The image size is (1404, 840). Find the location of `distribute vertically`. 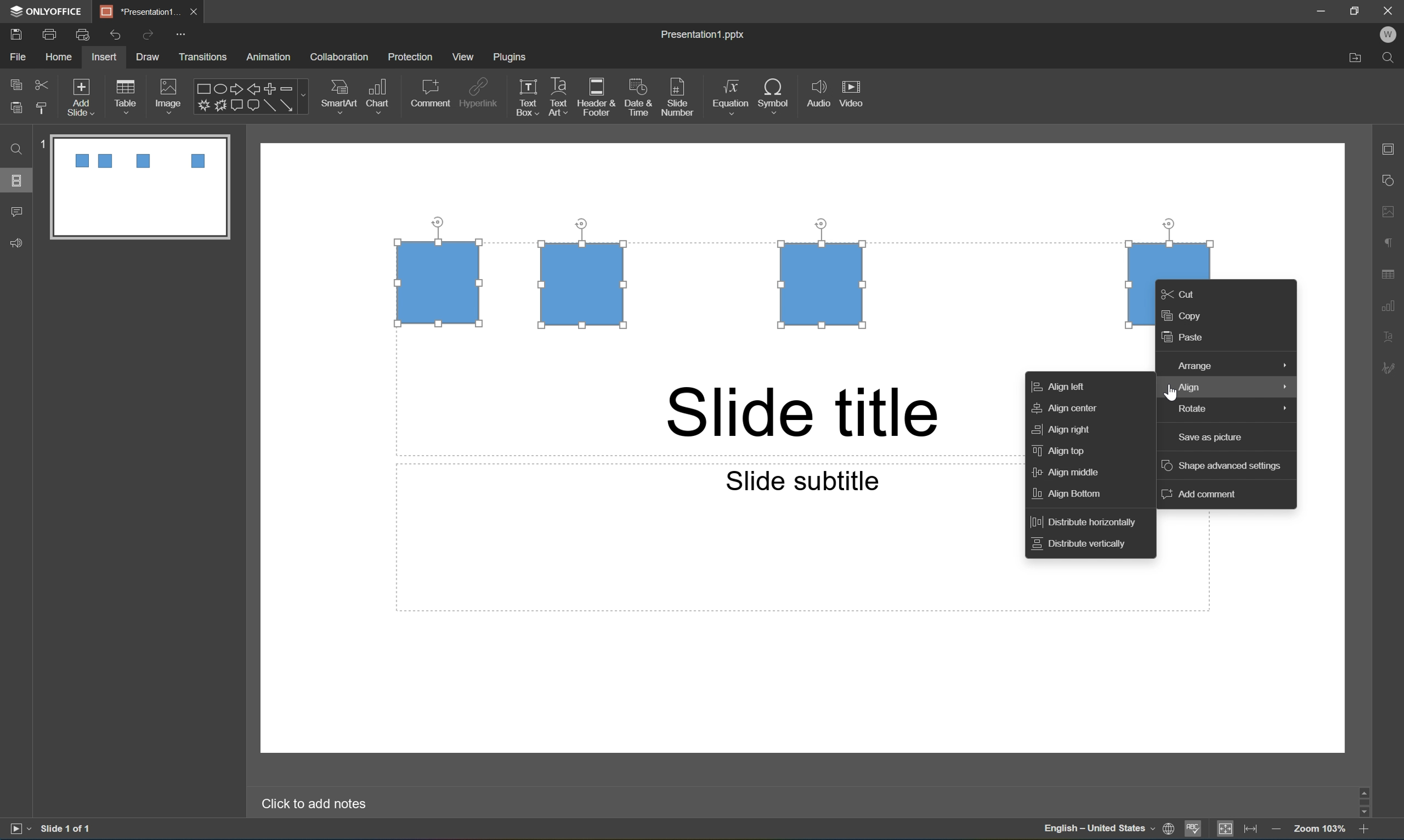

distribute vertically is located at coordinates (1083, 546).